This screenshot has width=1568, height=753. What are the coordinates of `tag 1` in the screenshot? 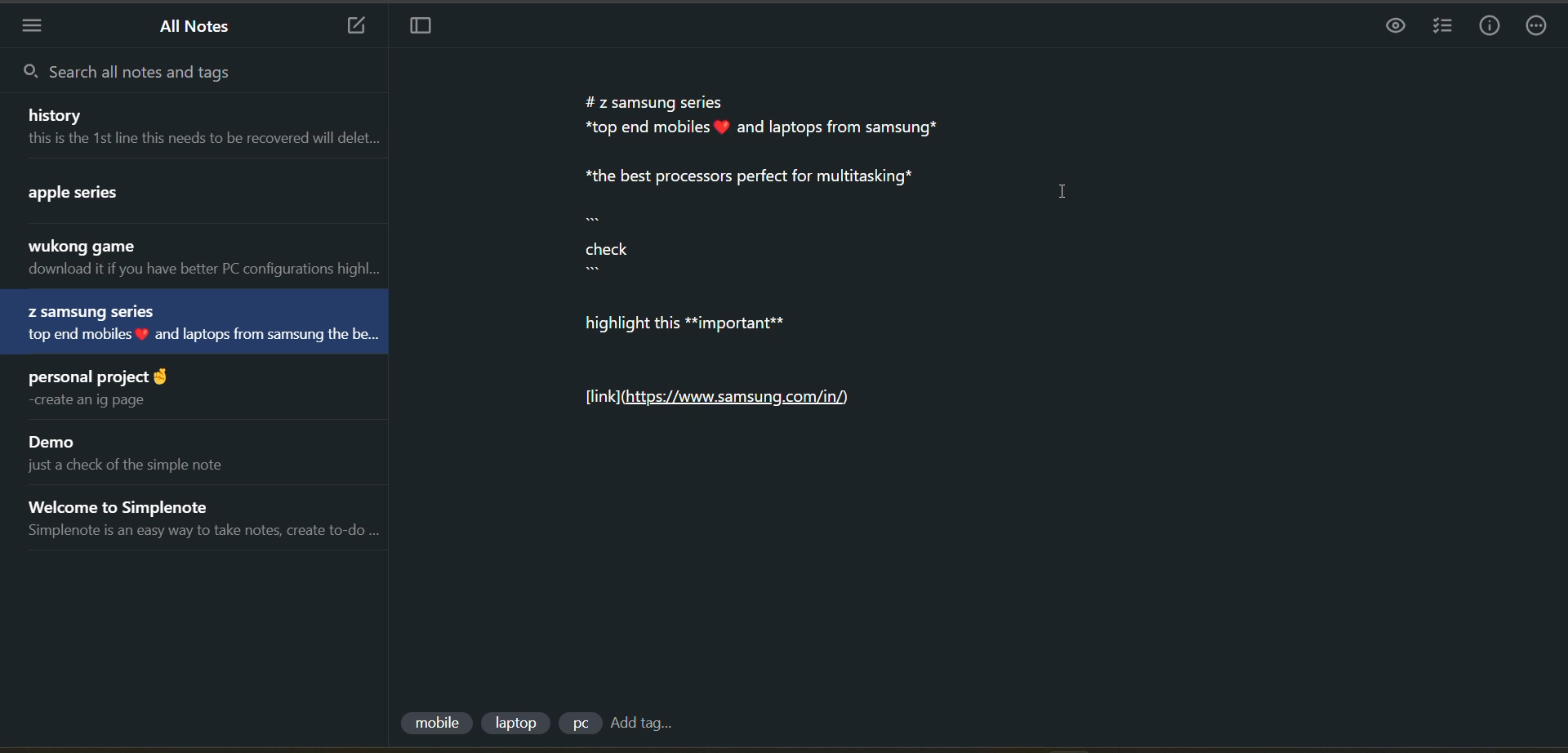 It's located at (435, 725).